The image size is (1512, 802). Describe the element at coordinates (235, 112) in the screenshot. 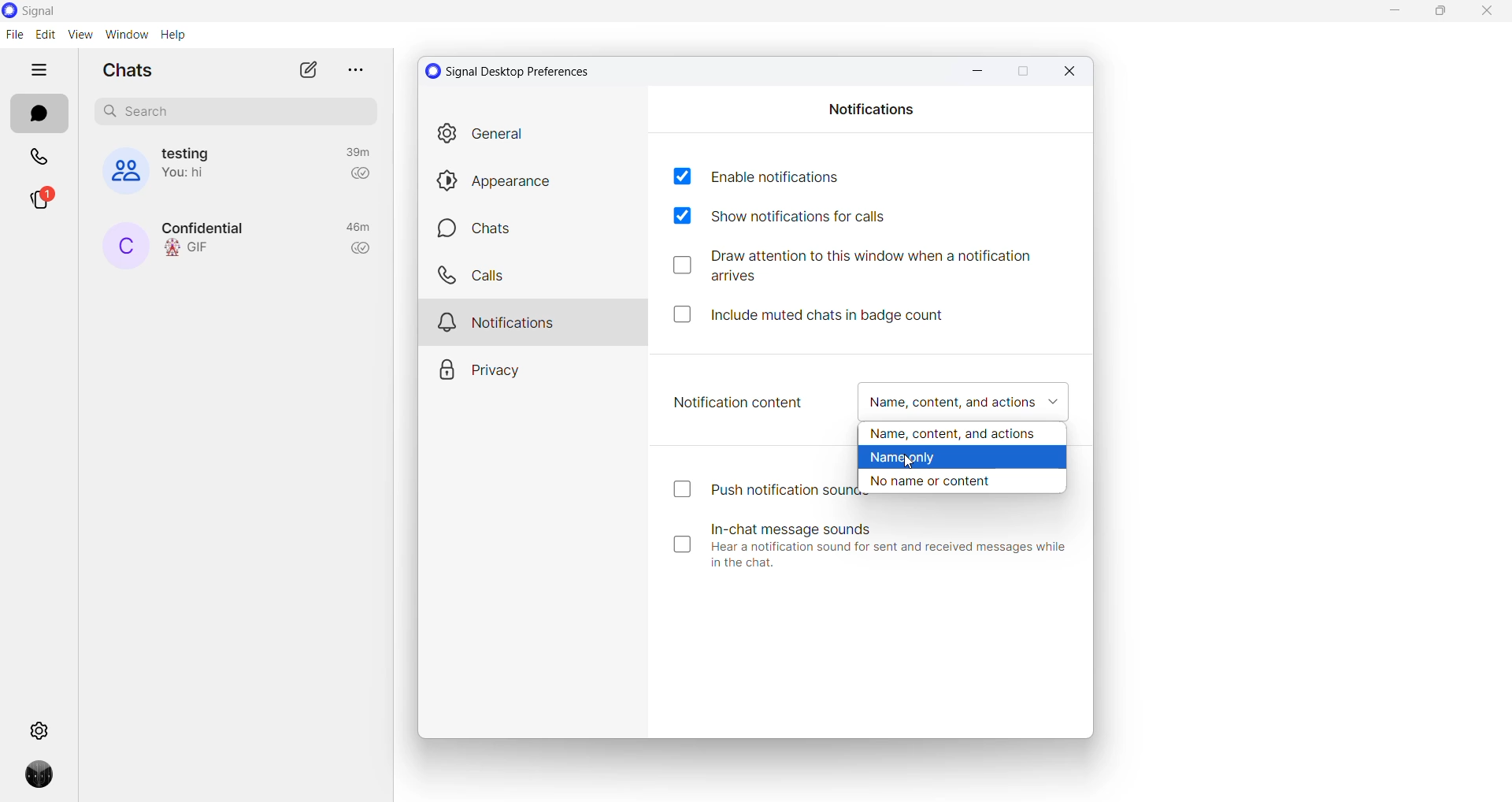

I see `search chat` at that location.